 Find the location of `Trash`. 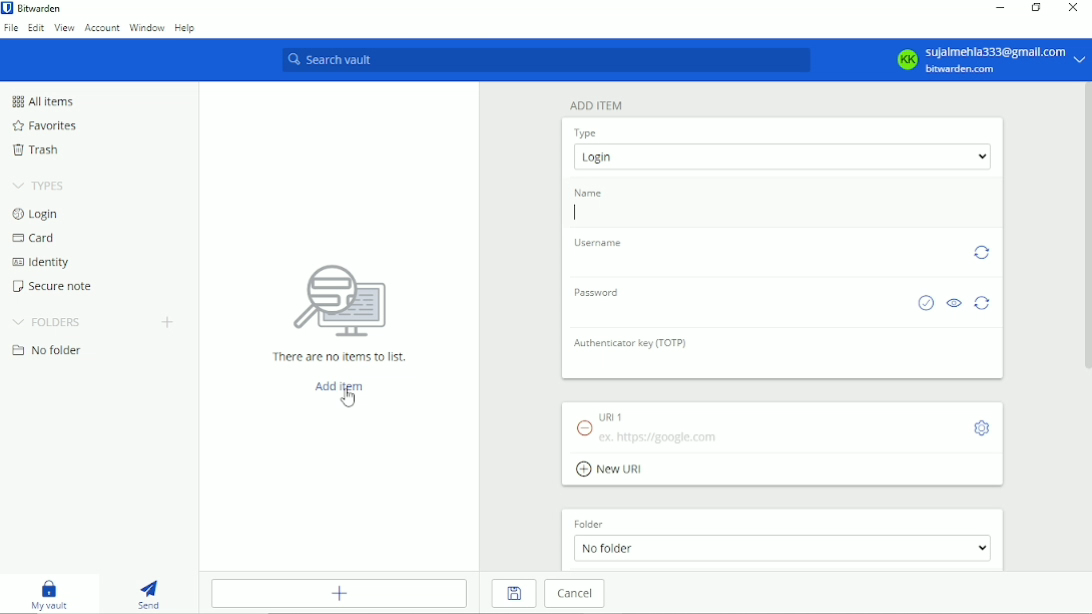

Trash is located at coordinates (38, 150).